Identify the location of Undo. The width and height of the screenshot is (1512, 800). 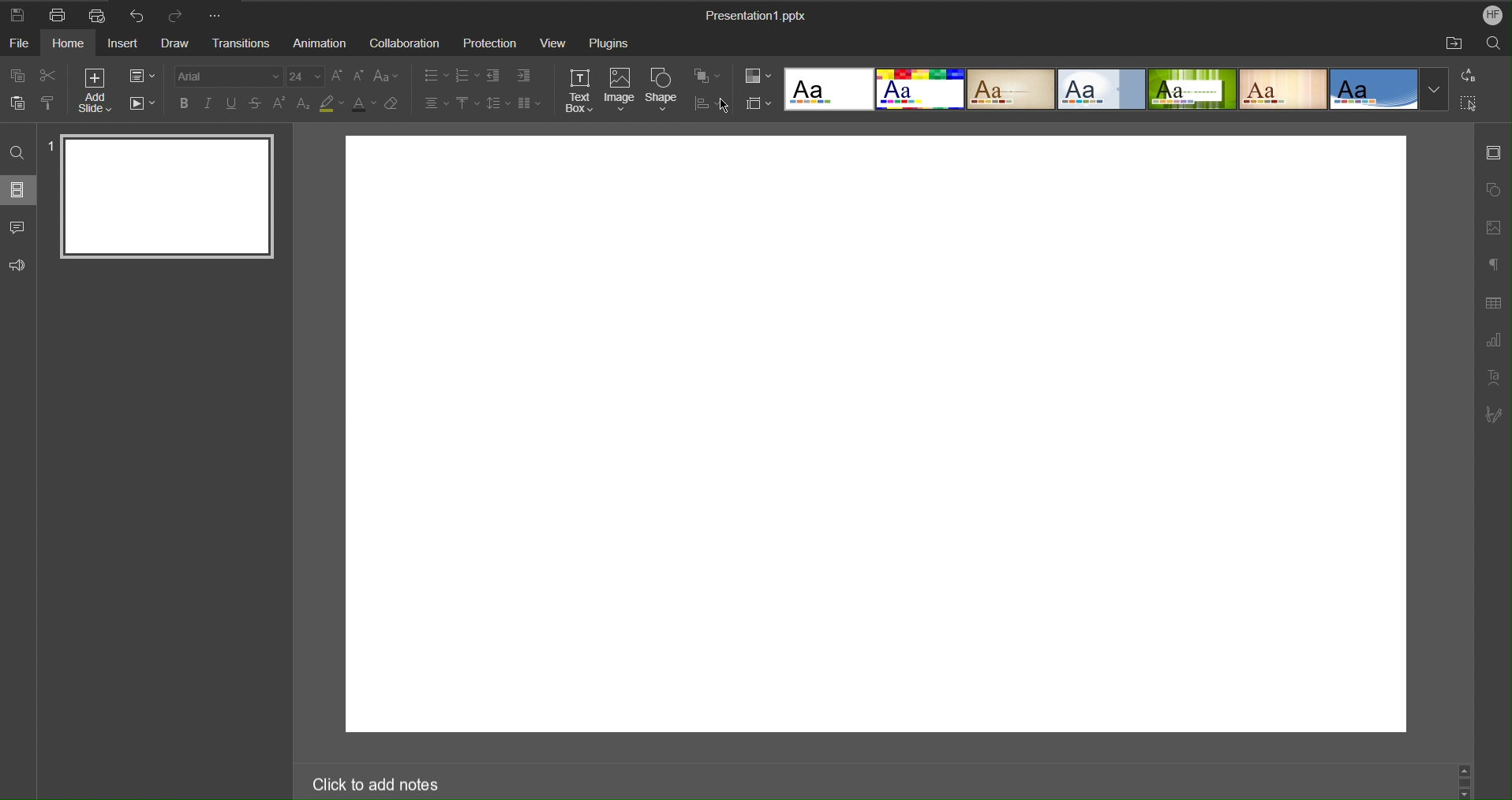
(138, 14).